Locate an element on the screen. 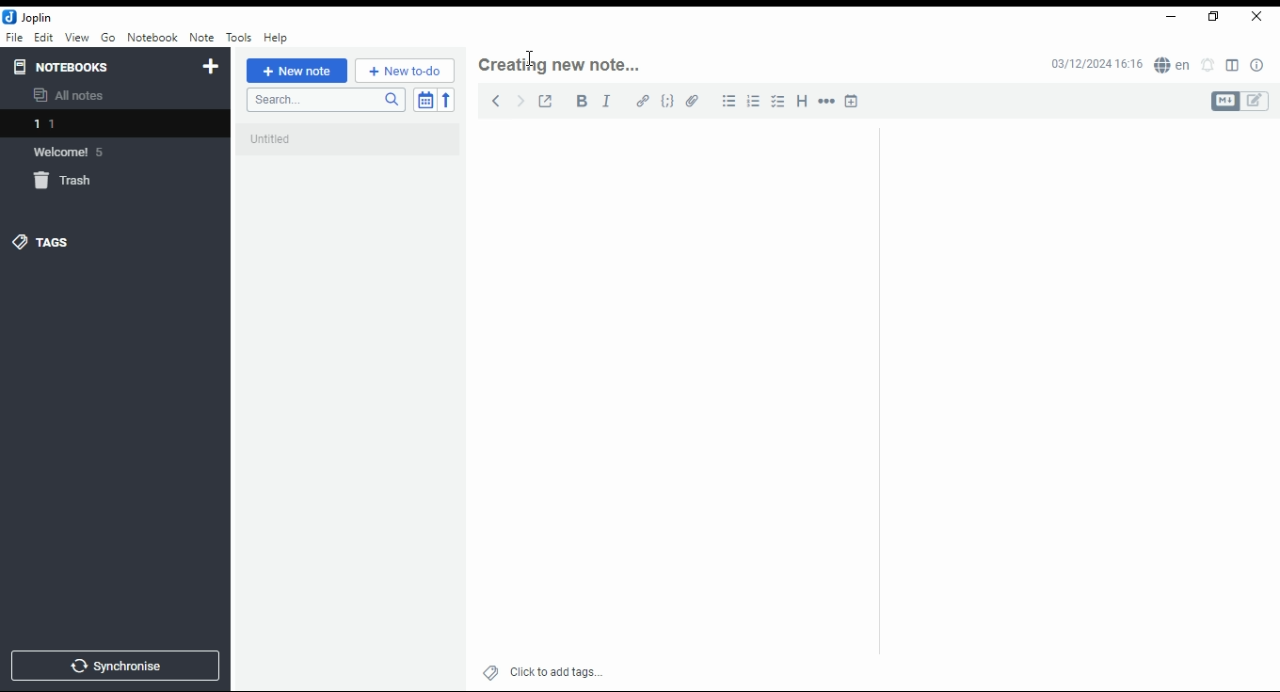 Image resolution: width=1280 pixels, height=692 pixels. toggle sort order field is located at coordinates (425, 100).